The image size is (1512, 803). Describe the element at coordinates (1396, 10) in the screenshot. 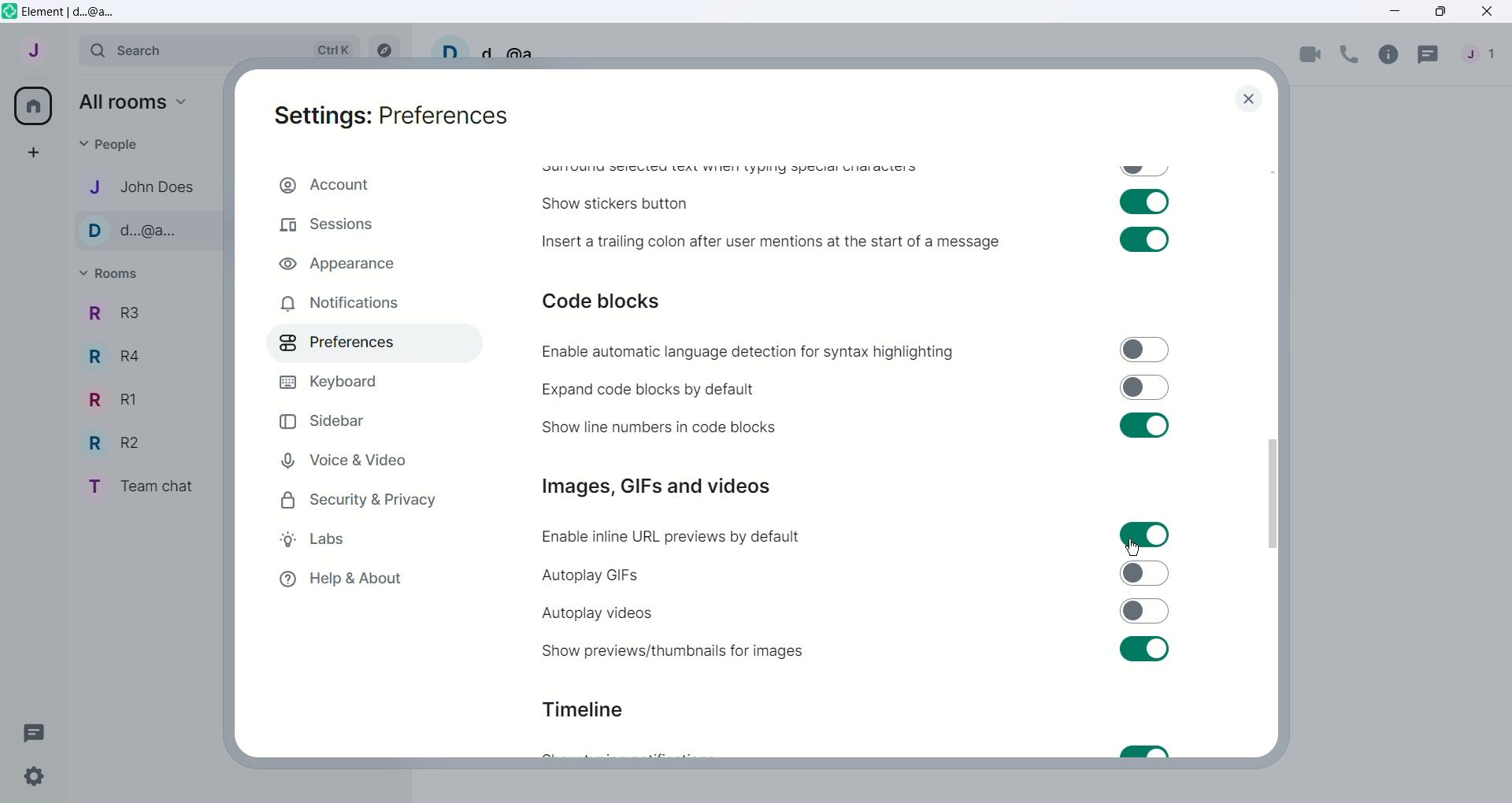

I see `Minimize` at that location.